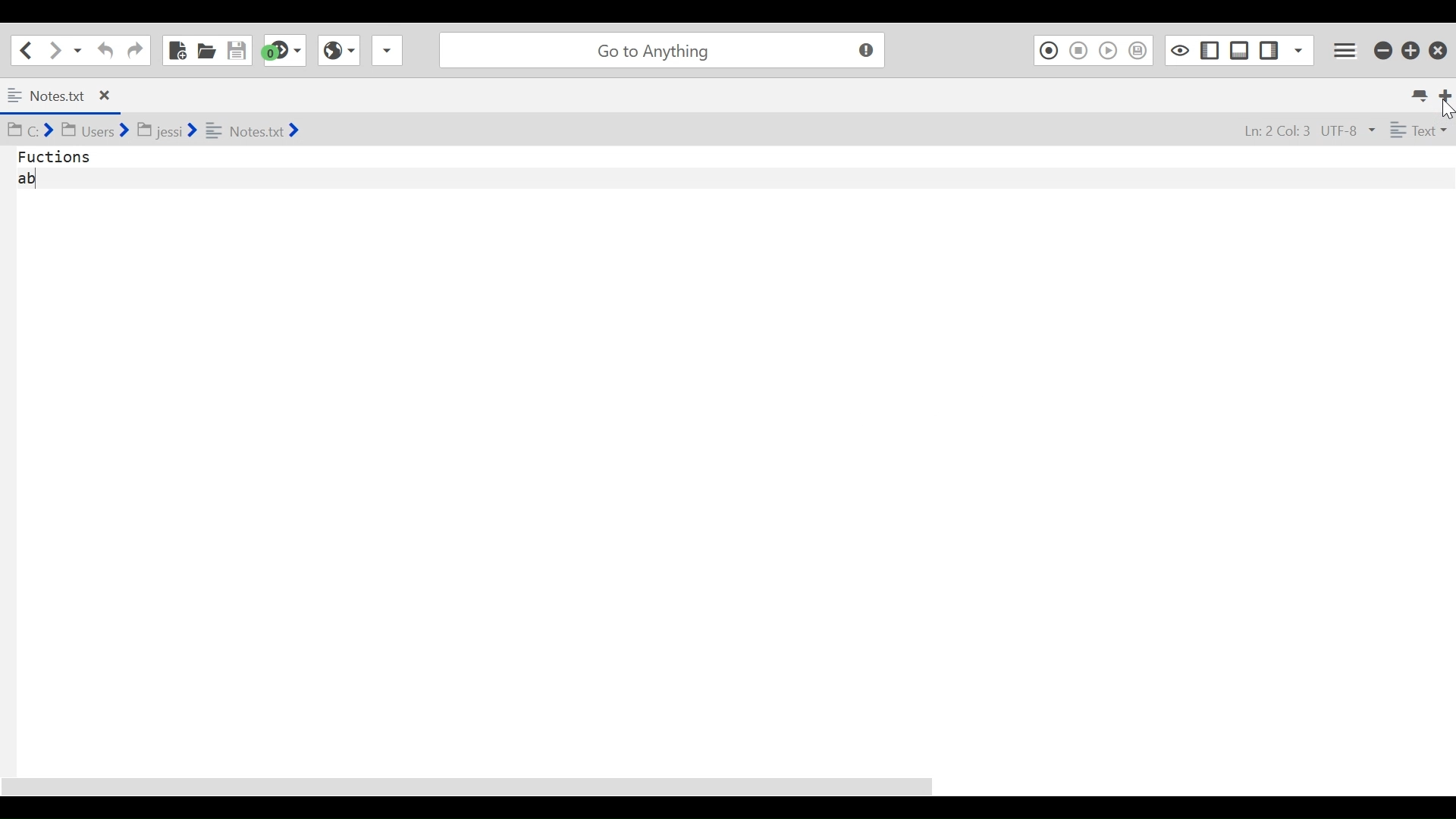  Describe the element at coordinates (1078, 50) in the screenshot. I see `Stop Recording Macro` at that location.